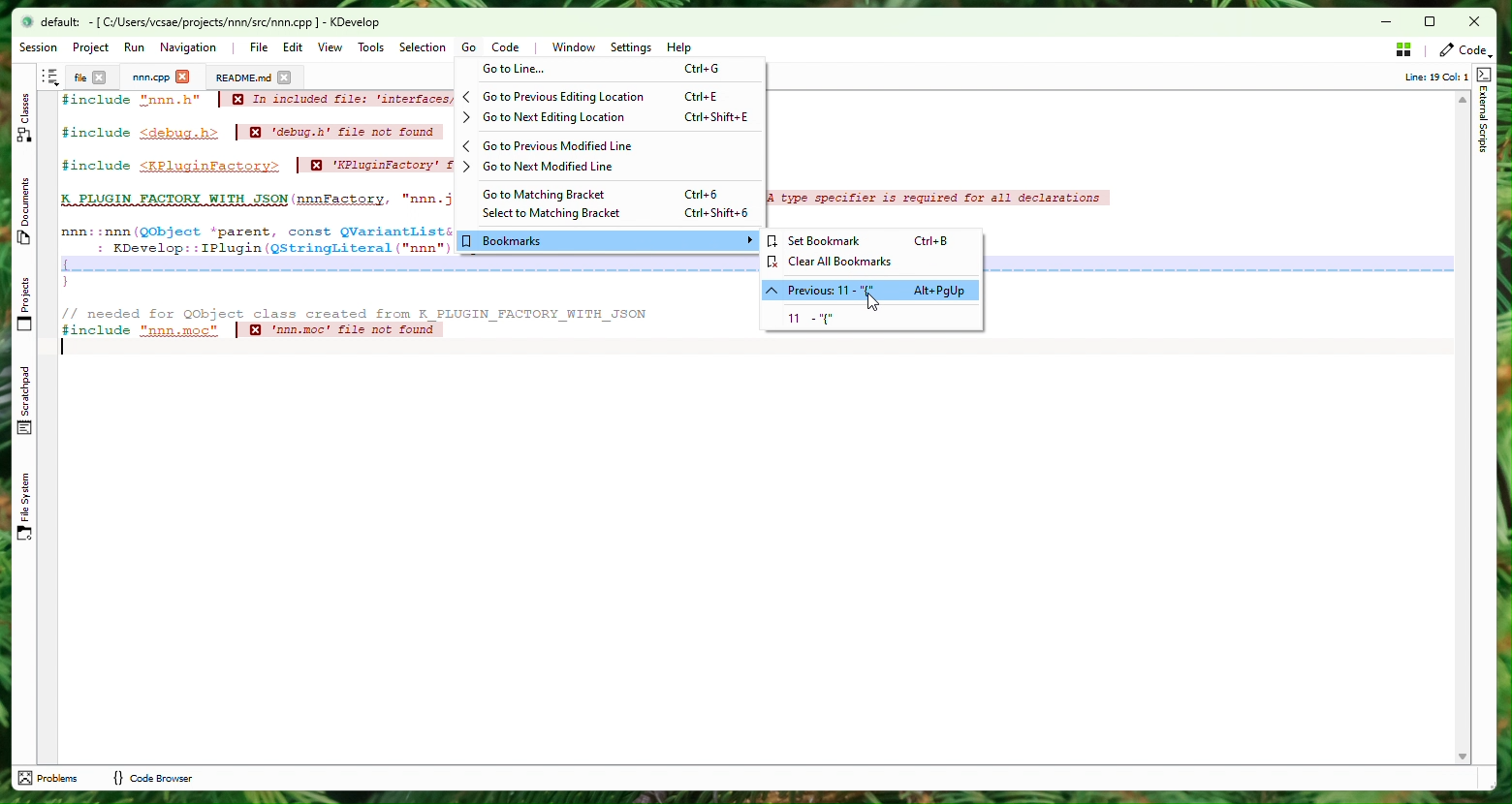 Image resolution: width=1512 pixels, height=804 pixels. What do you see at coordinates (680, 49) in the screenshot?
I see `Help` at bounding box center [680, 49].